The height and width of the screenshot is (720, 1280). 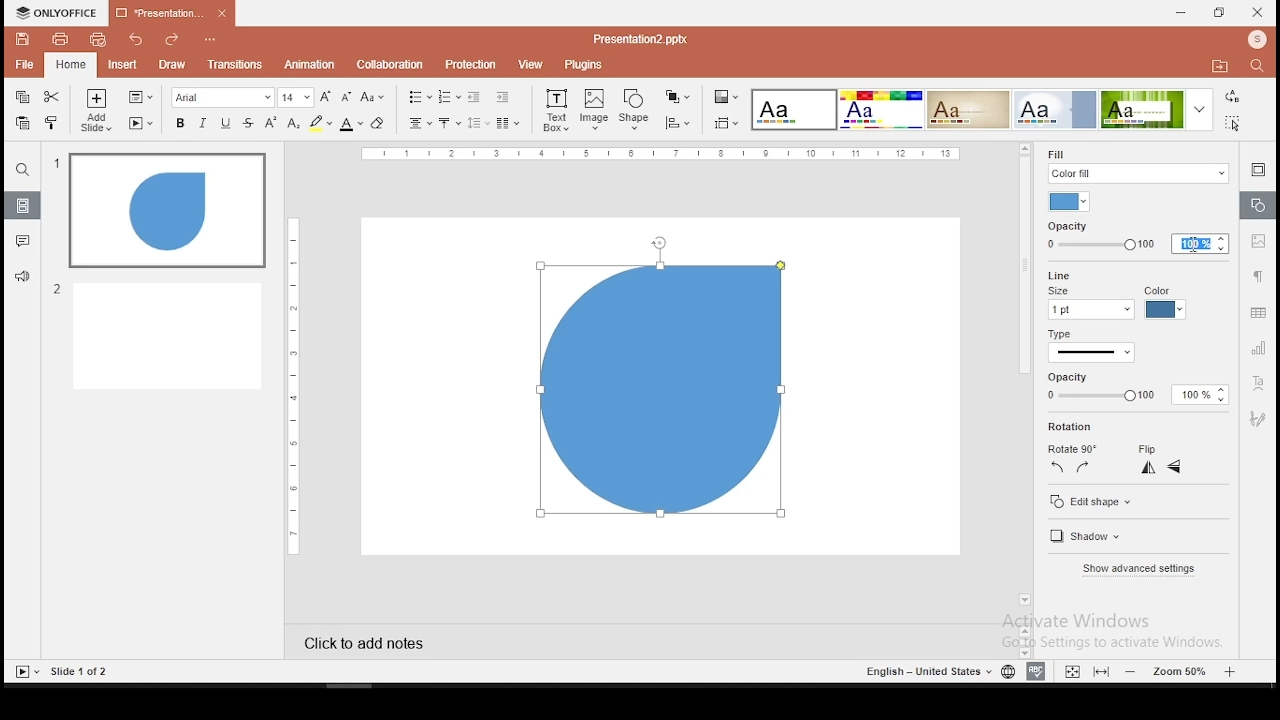 I want to click on find, so click(x=1257, y=65).